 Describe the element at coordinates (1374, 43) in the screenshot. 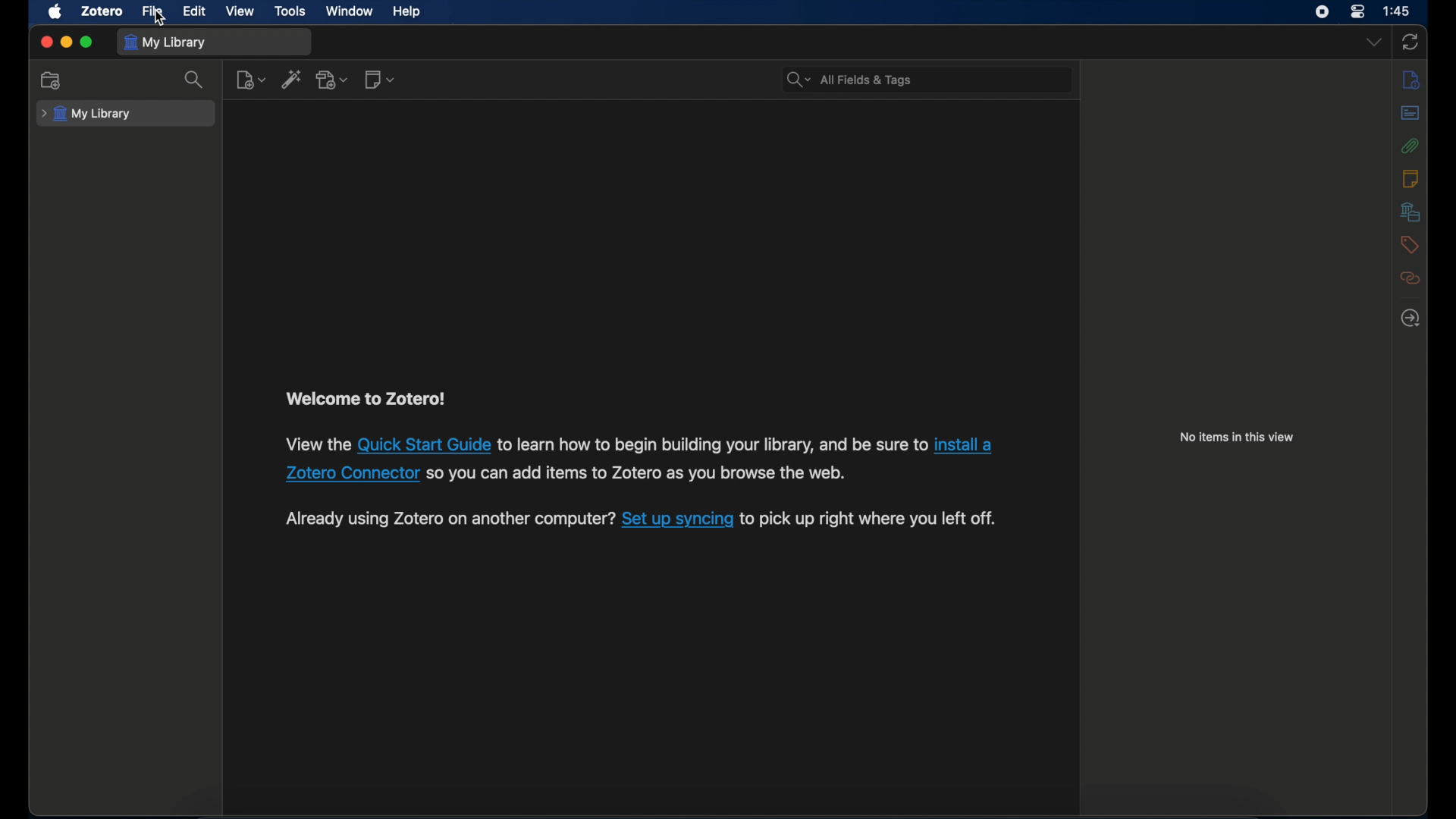

I see `dropdown` at that location.